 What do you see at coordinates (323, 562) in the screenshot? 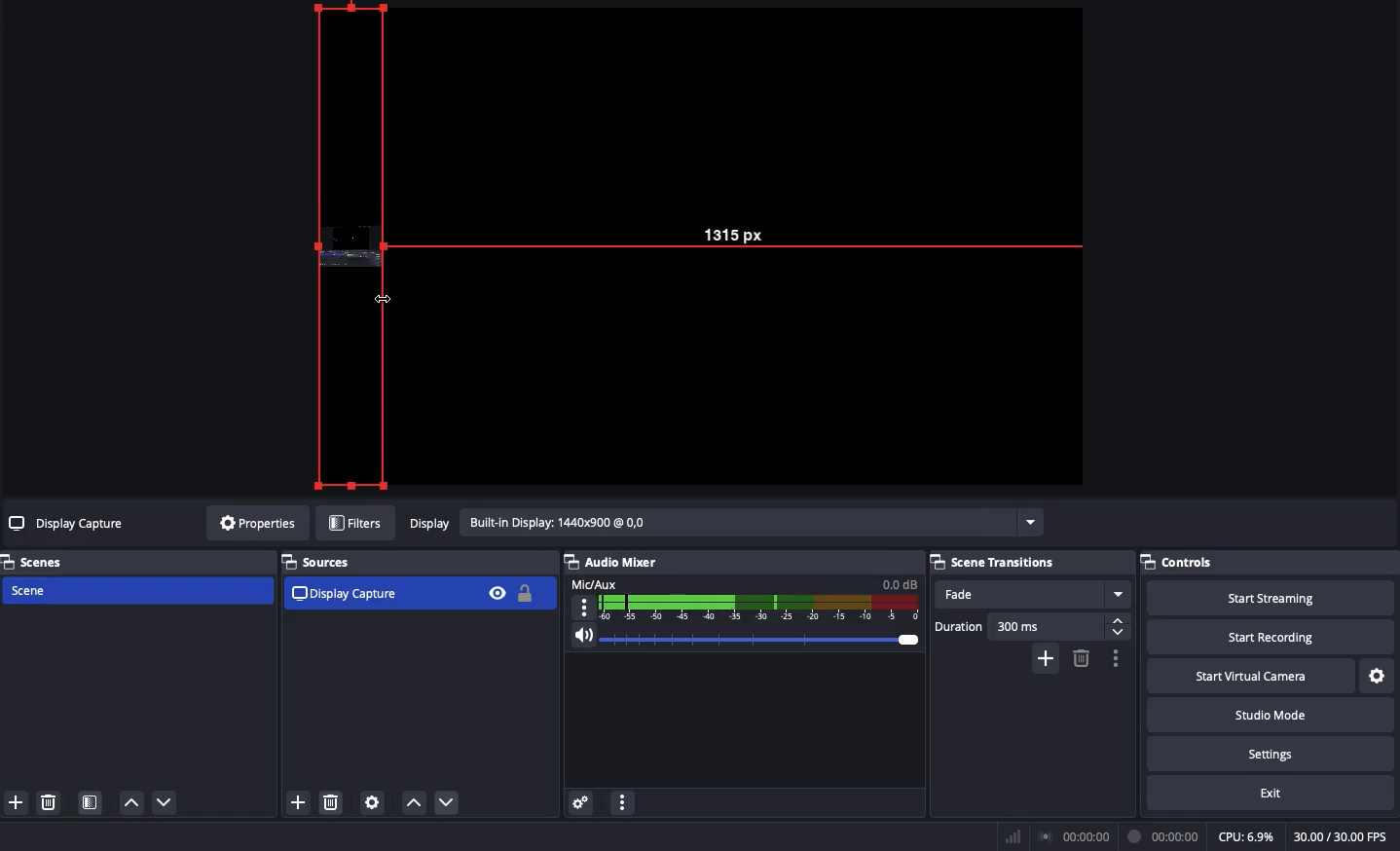
I see `Sources` at bounding box center [323, 562].